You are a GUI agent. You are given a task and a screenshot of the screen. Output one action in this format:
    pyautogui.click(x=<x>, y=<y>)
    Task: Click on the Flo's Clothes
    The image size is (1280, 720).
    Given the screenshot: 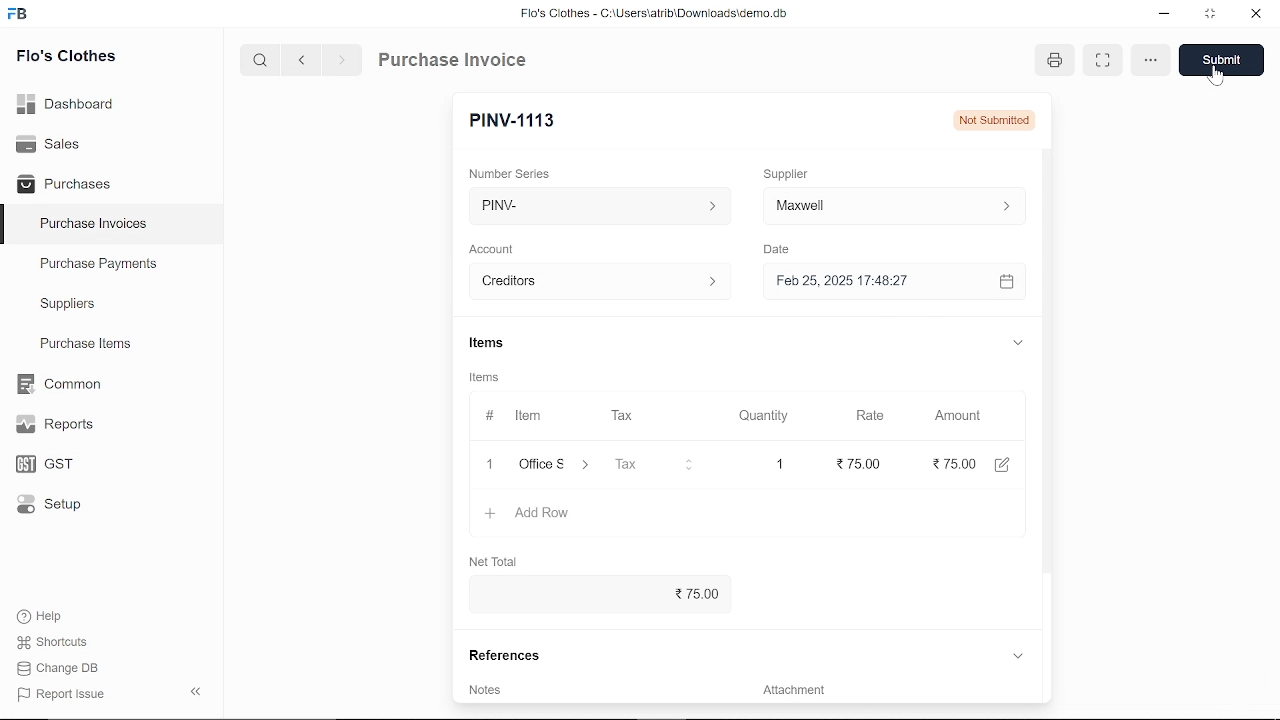 What is the action you would take?
    pyautogui.click(x=66, y=57)
    